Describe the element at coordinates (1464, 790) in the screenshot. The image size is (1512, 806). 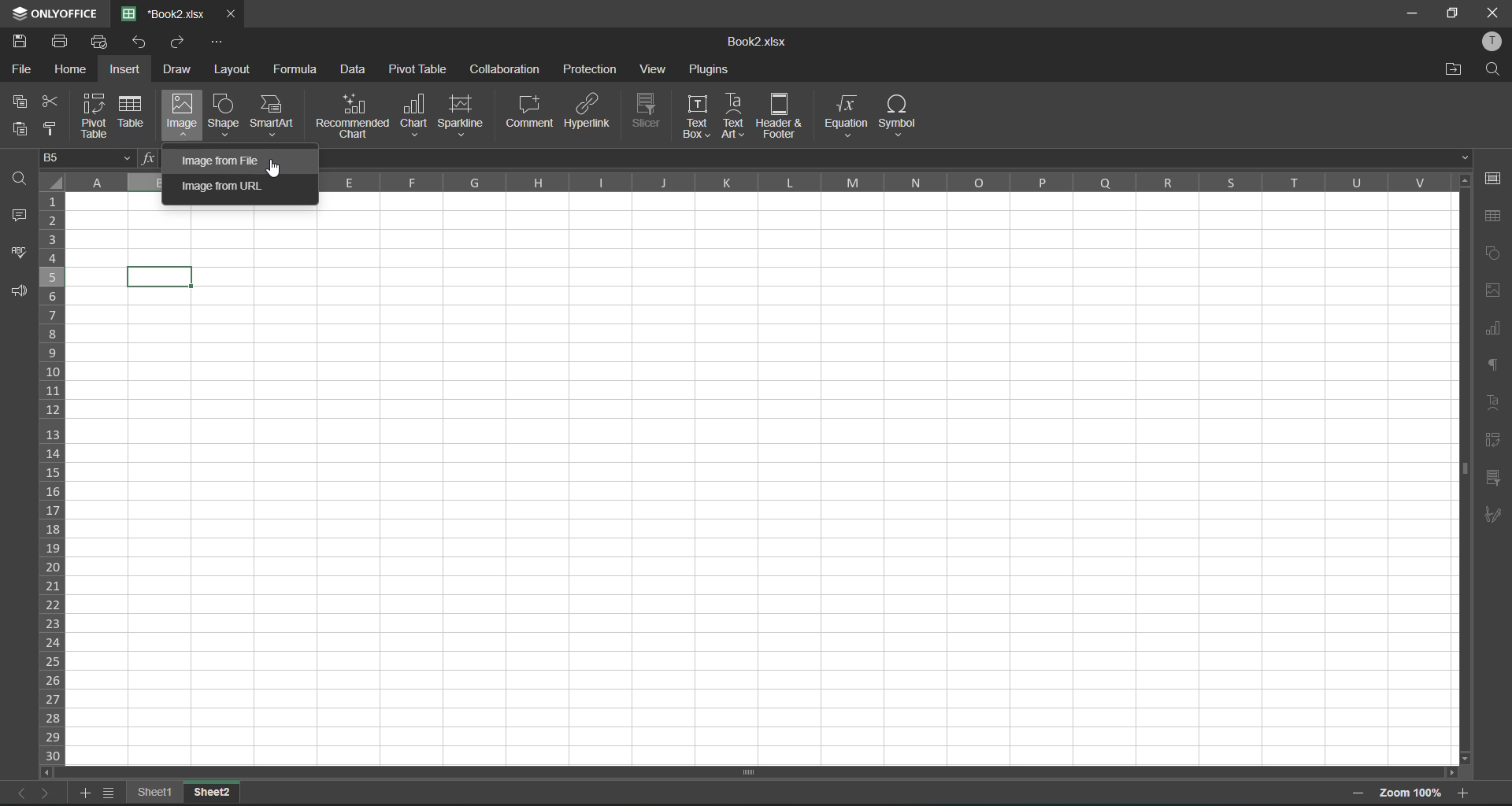
I see `zoom in` at that location.